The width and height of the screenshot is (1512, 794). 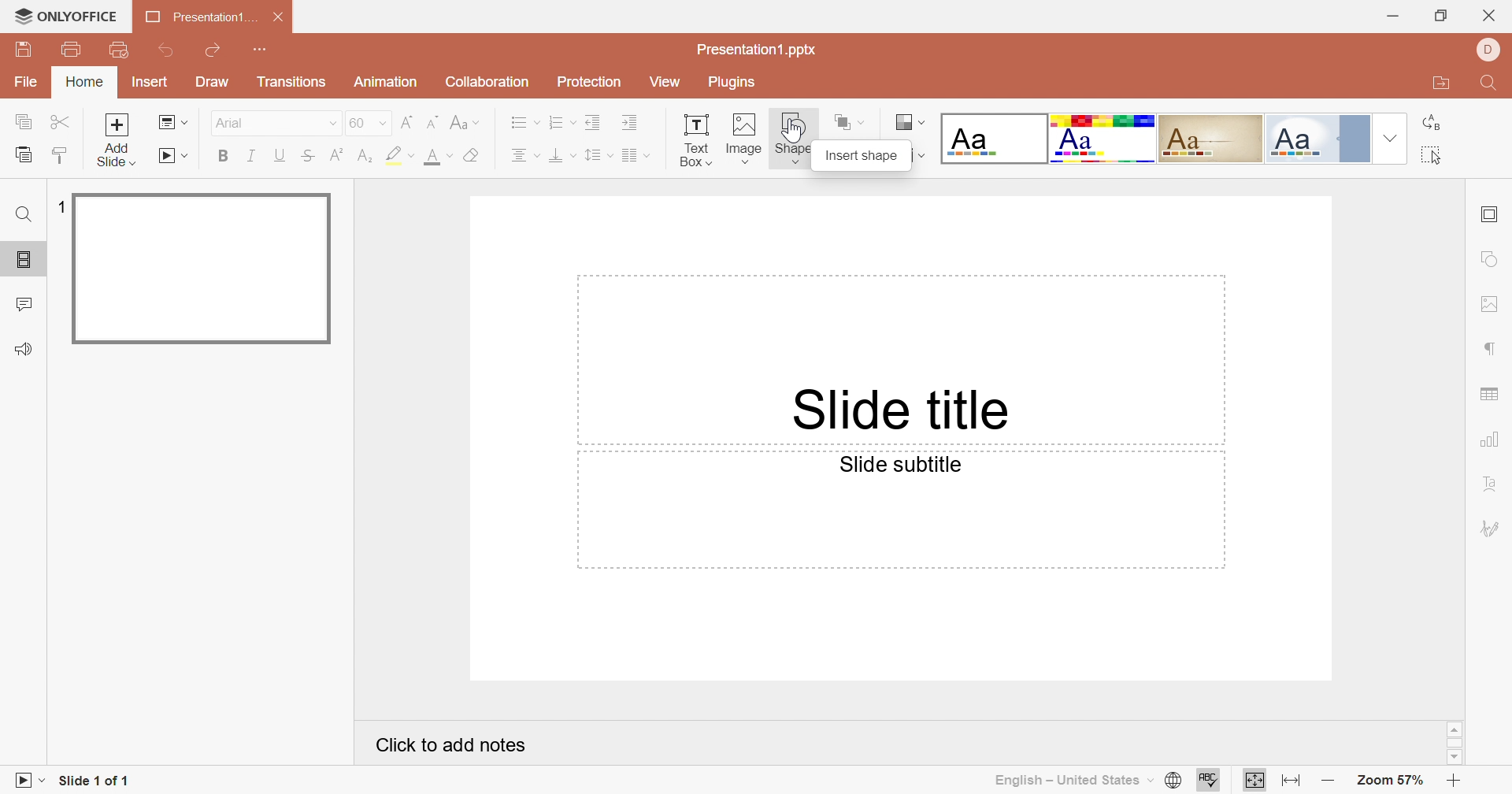 What do you see at coordinates (631, 121) in the screenshot?
I see `Increase indent` at bounding box center [631, 121].